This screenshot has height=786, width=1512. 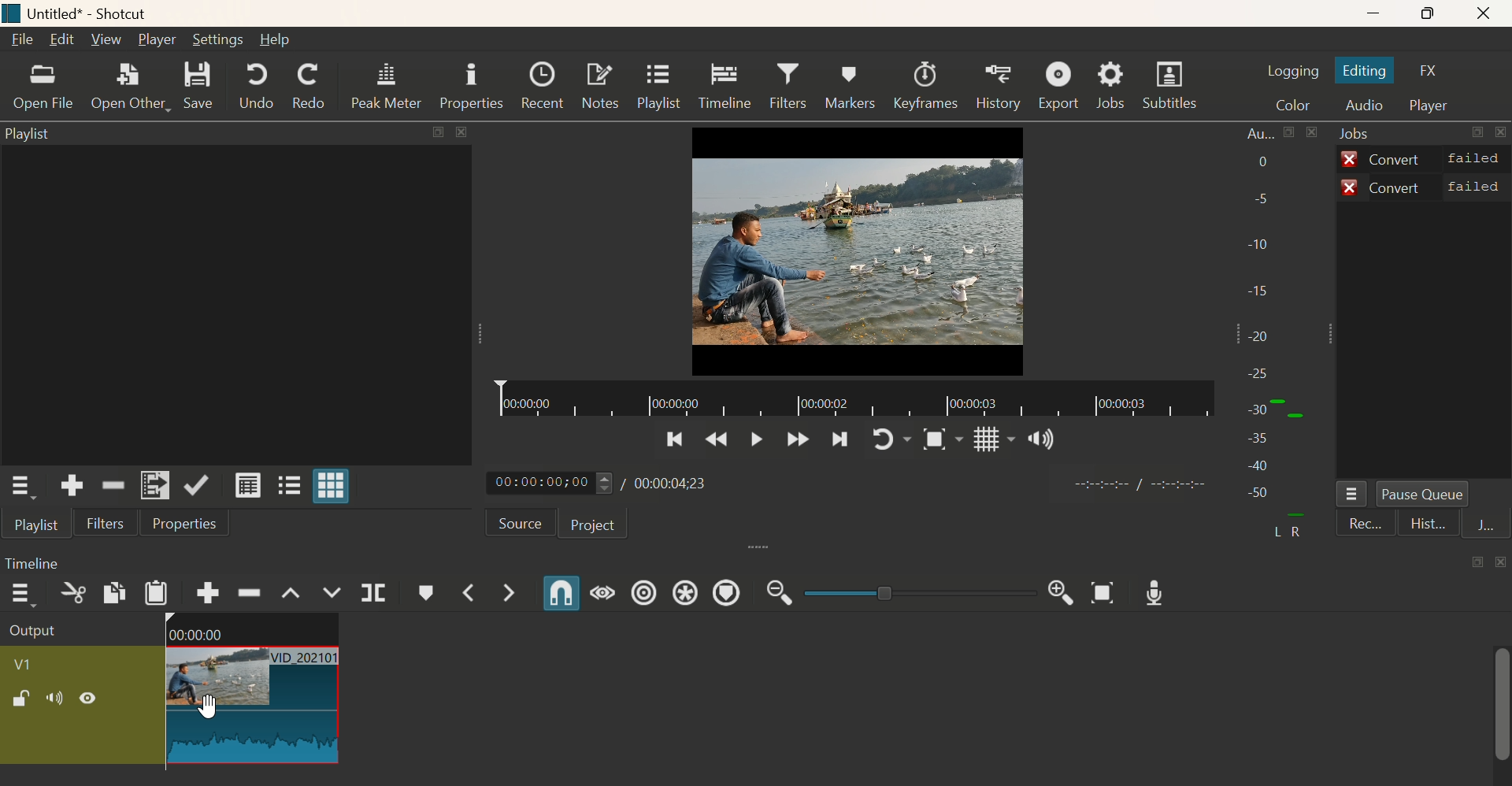 What do you see at coordinates (477, 593) in the screenshot?
I see `Previous Marker` at bounding box center [477, 593].